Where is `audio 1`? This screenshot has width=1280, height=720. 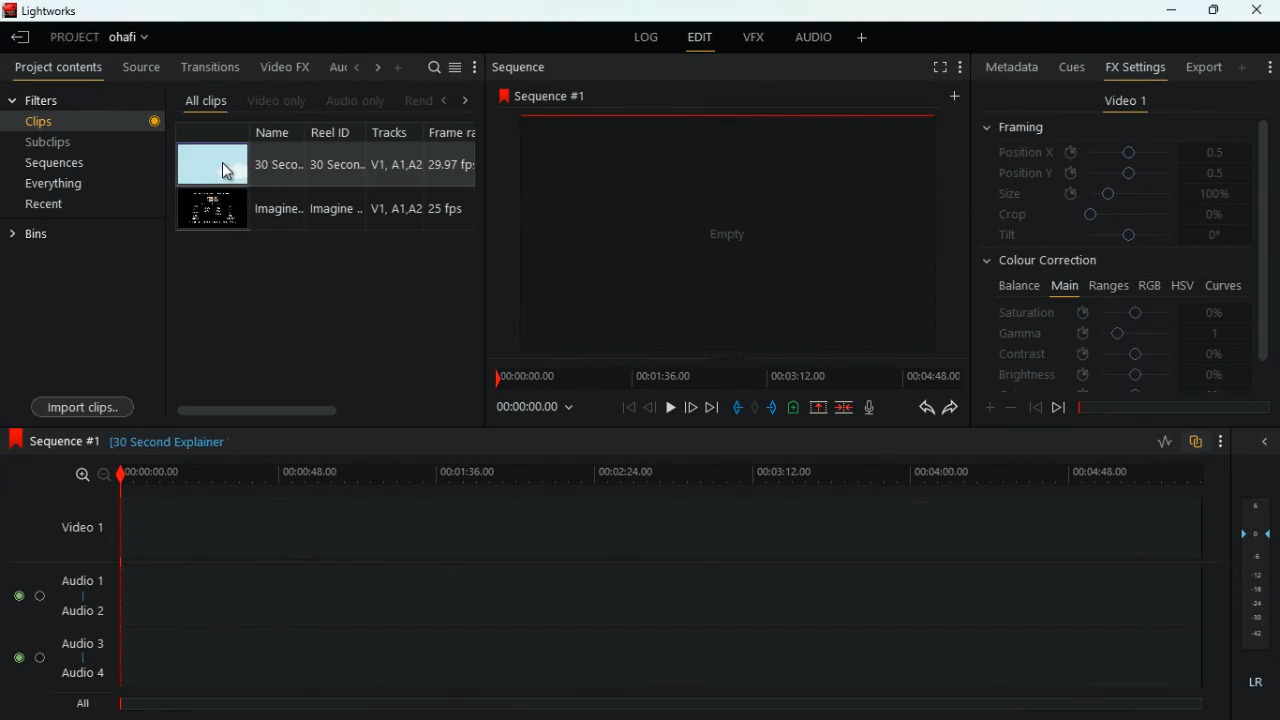
audio 1 is located at coordinates (78, 578).